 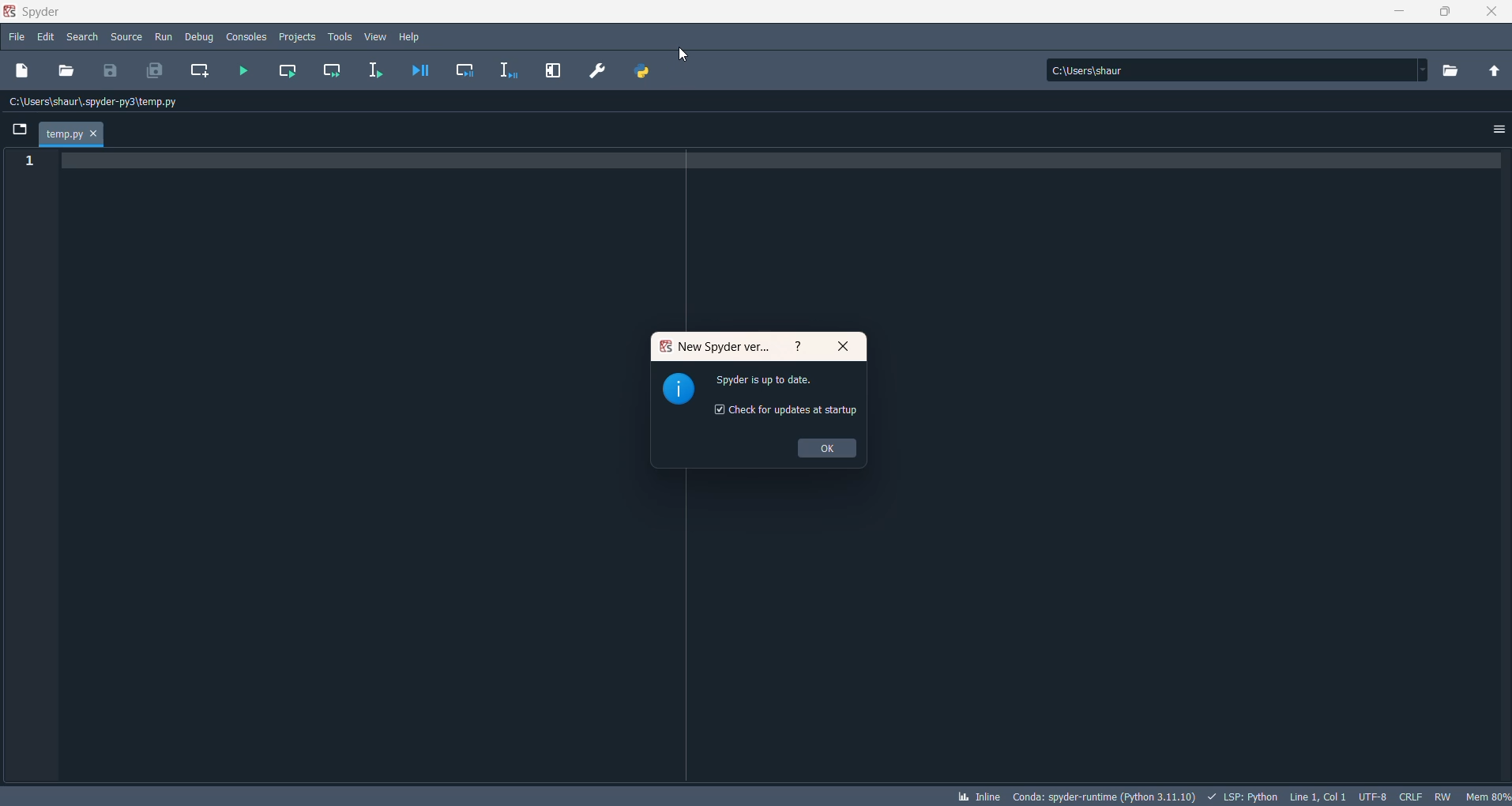 What do you see at coordinates (506, 70) in the screenshot?
I see `debug selection` at bounding box center [506, 70].